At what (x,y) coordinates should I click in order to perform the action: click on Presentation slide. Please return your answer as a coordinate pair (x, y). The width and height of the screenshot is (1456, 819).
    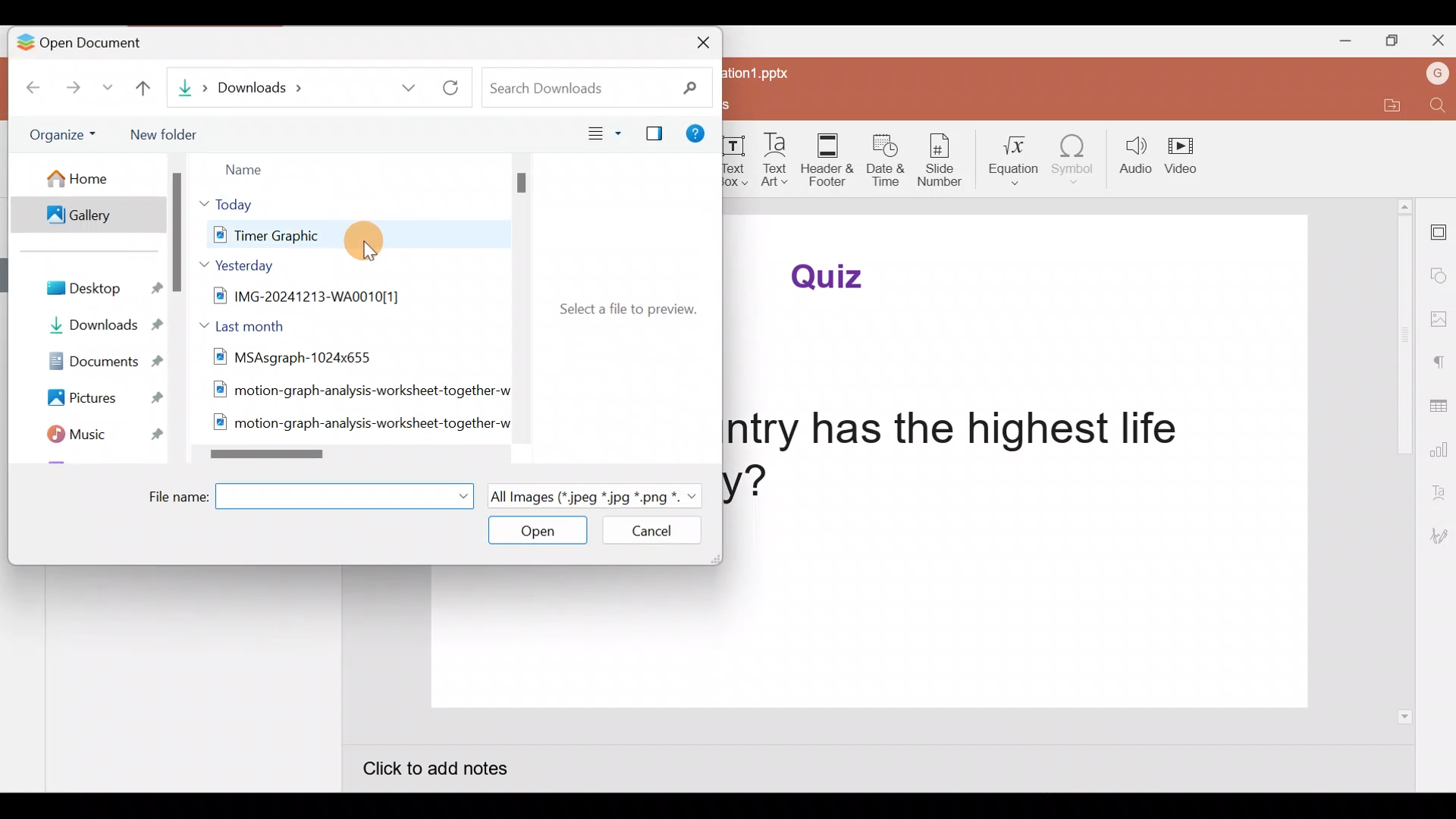
    Looking at the image, I should click on (866, 642).